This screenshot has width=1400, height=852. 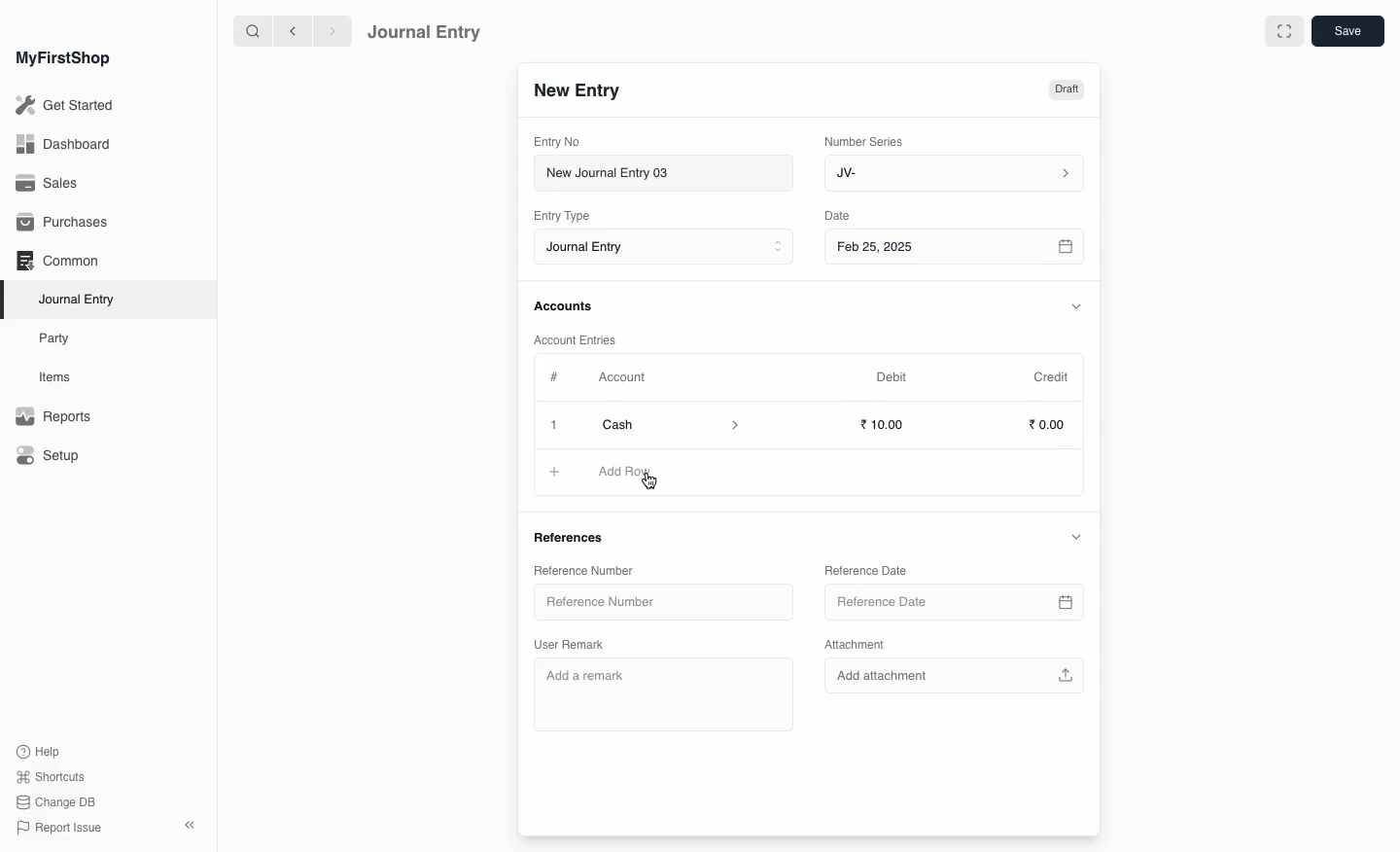 What do you see at coordinates (864, 140) in the screenshot?
I see `‘Number Series` at bounding box center [864, 140].